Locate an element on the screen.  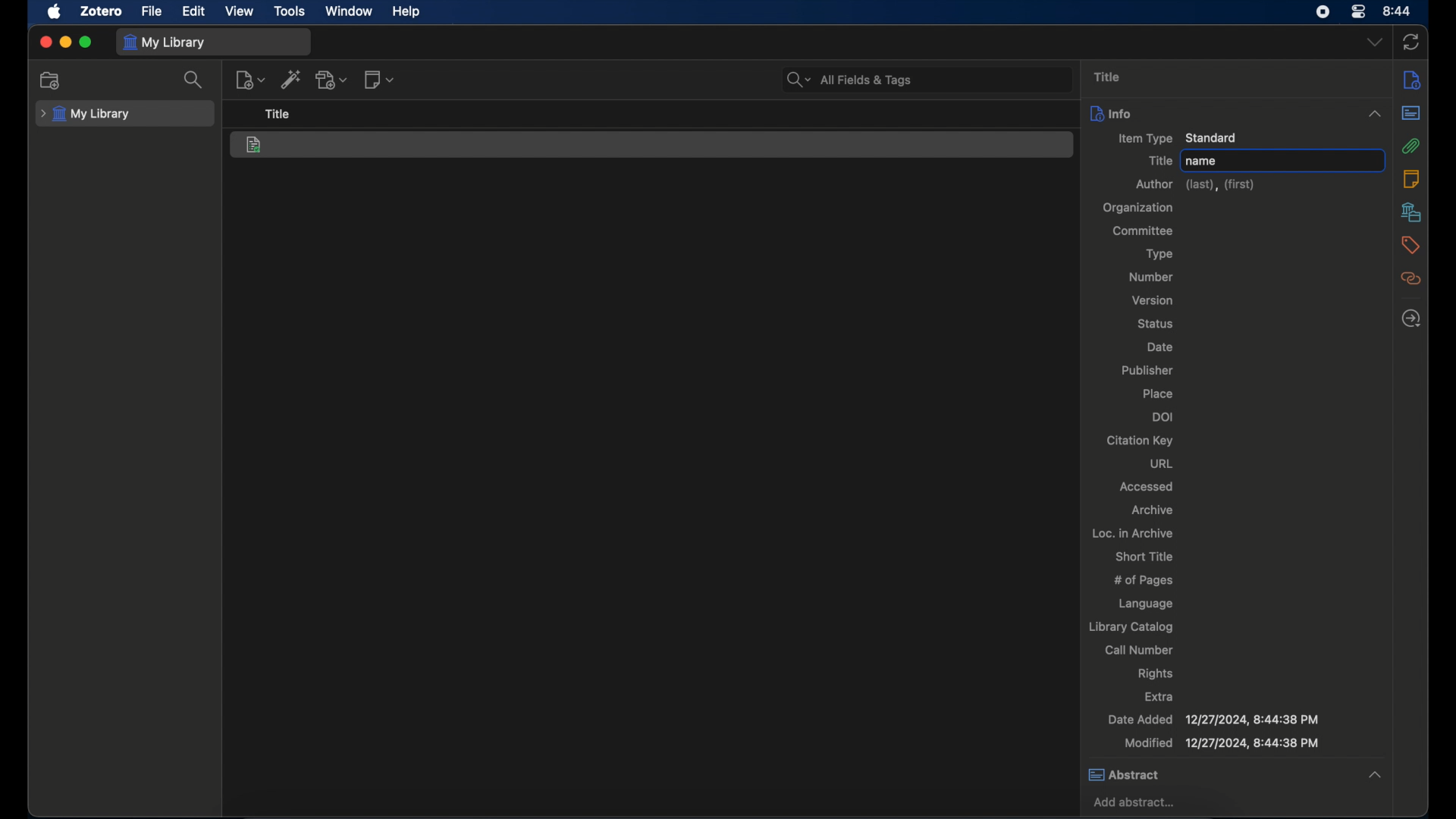
status is located at coordinates (1155, 325).